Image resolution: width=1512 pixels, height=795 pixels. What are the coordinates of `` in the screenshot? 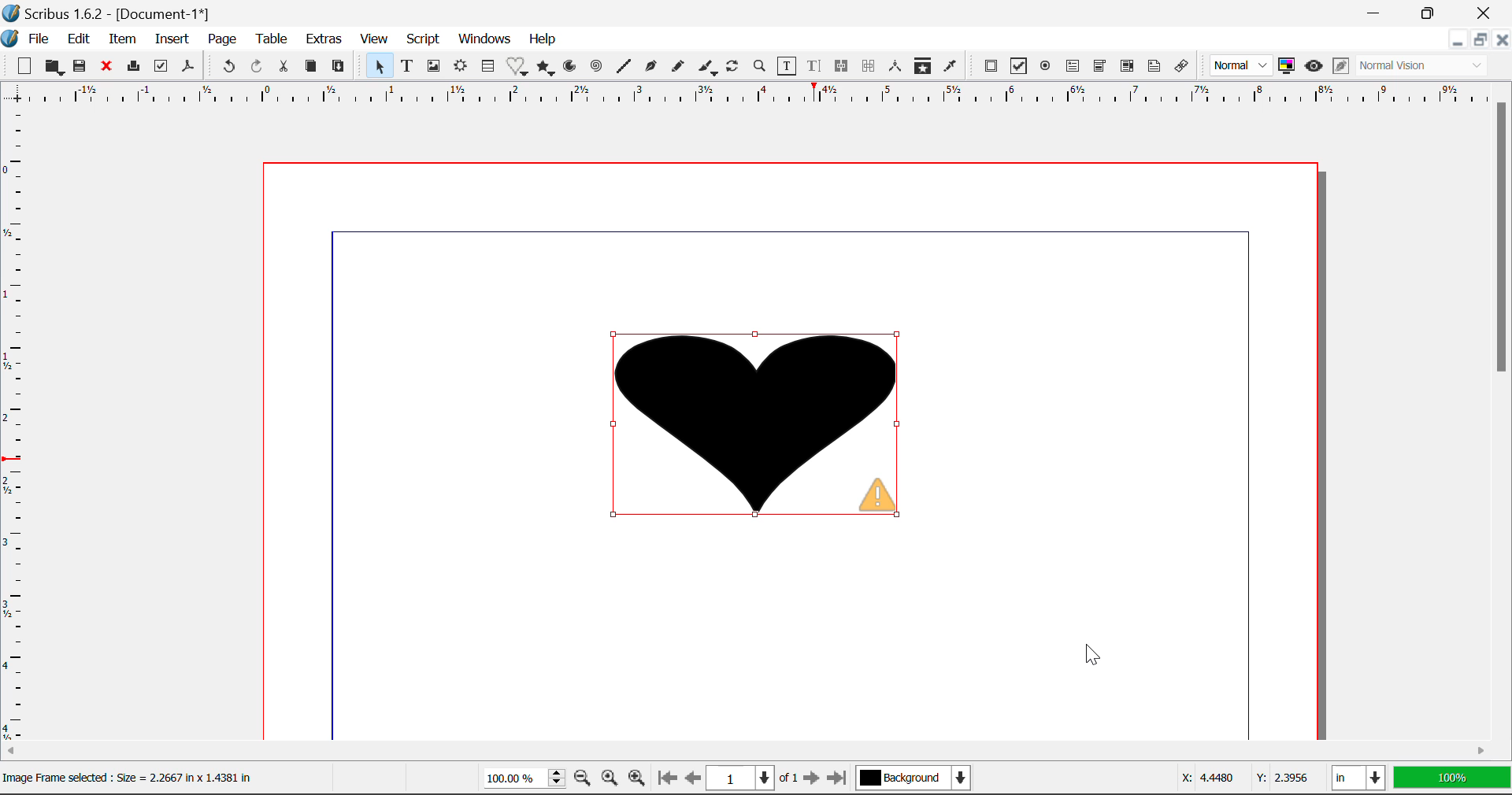 It's located at (132, 781).